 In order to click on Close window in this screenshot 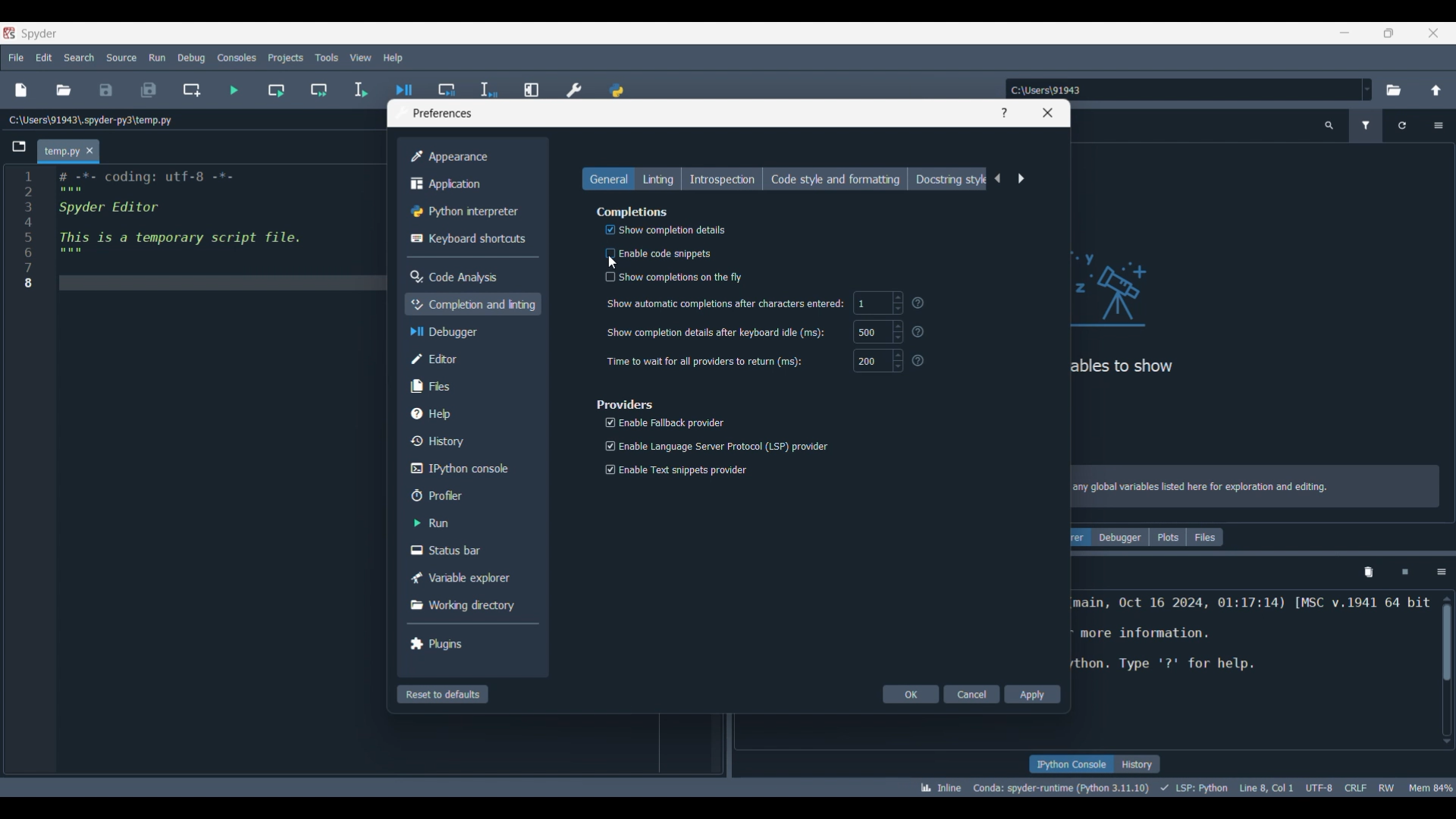, I will do `click(1048, 113)`.